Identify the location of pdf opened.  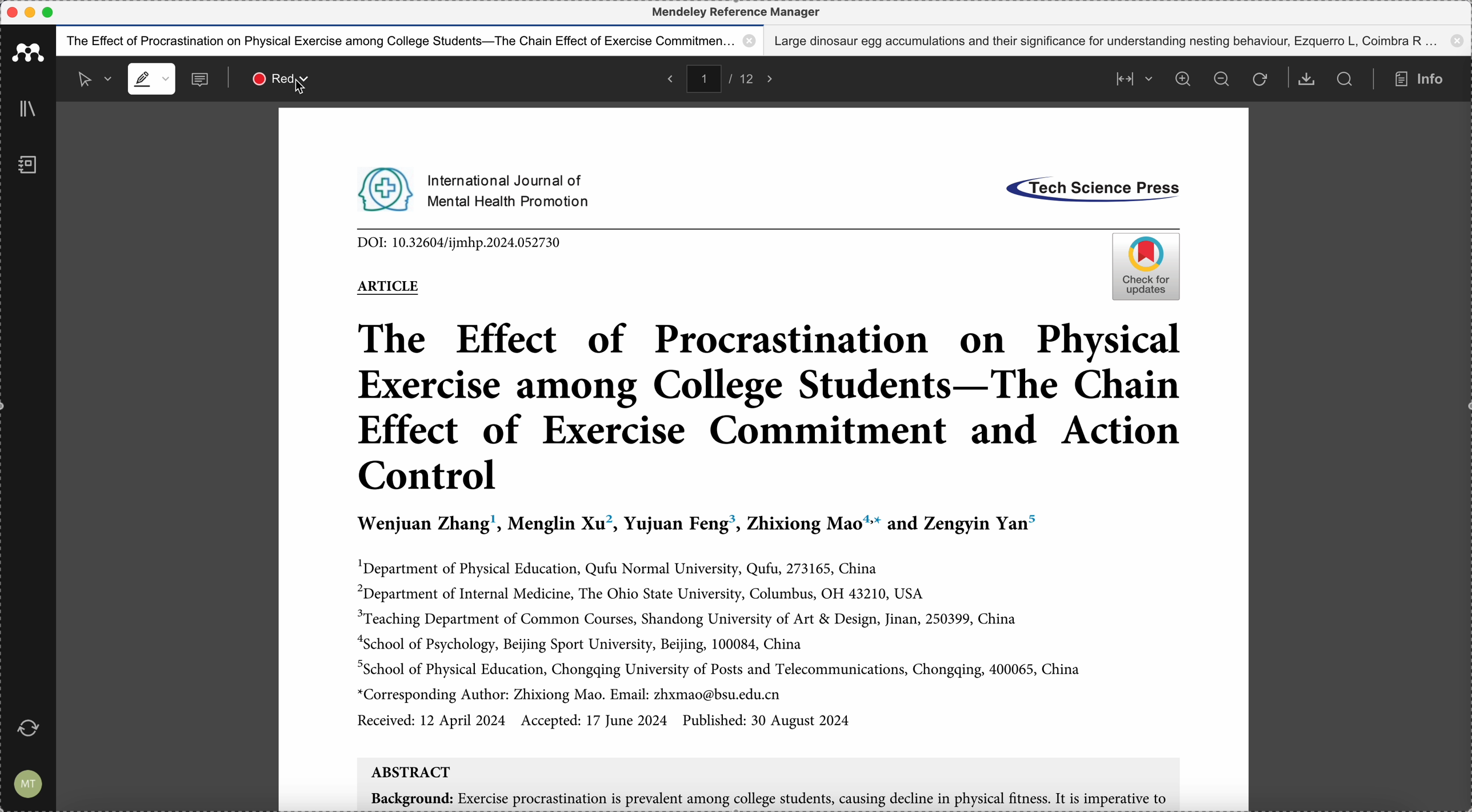
(762, 461).